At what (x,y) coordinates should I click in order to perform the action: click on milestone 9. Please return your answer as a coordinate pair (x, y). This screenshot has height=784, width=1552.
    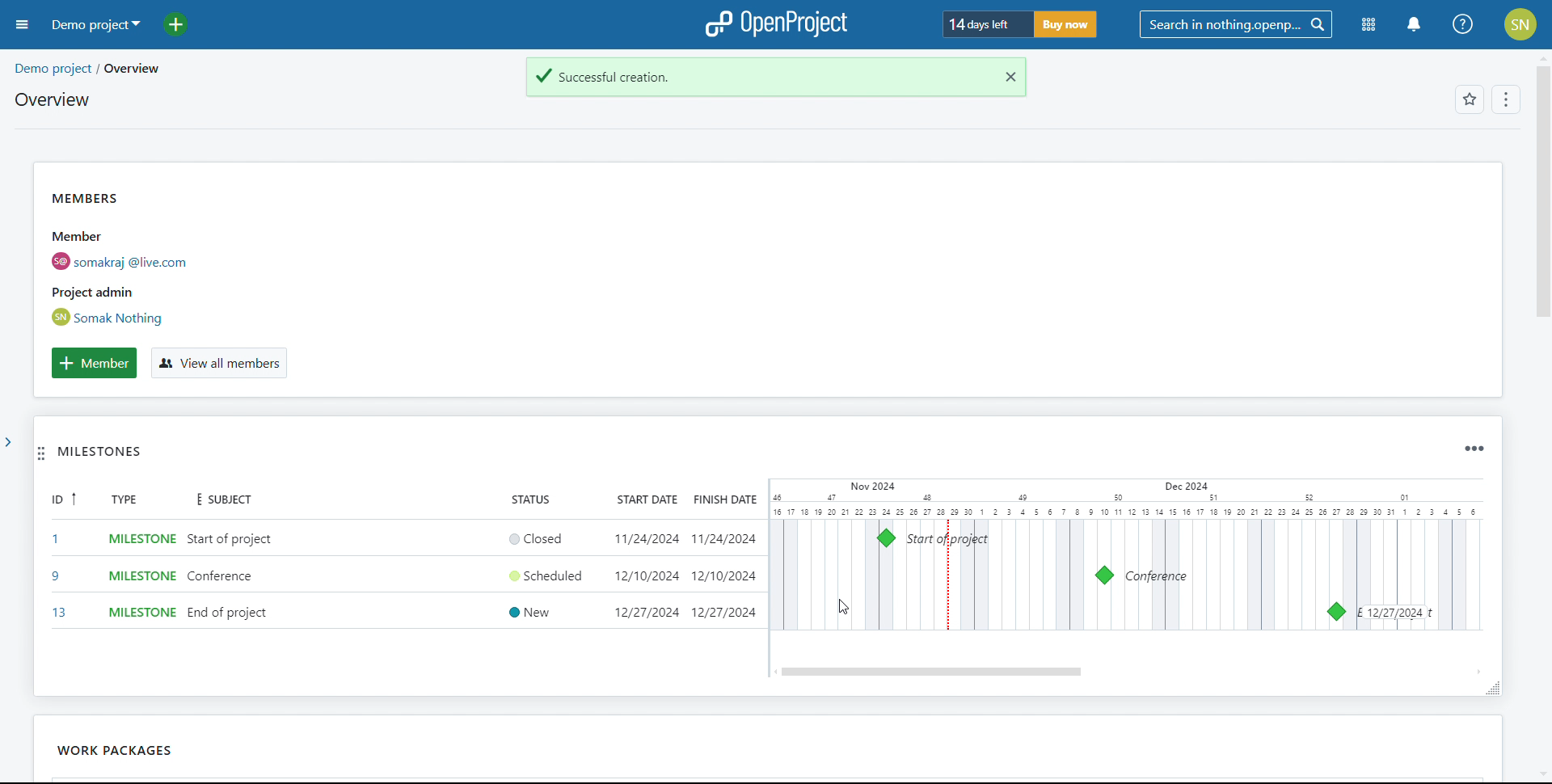
    Looking at the image, I should click on (1104, 575).